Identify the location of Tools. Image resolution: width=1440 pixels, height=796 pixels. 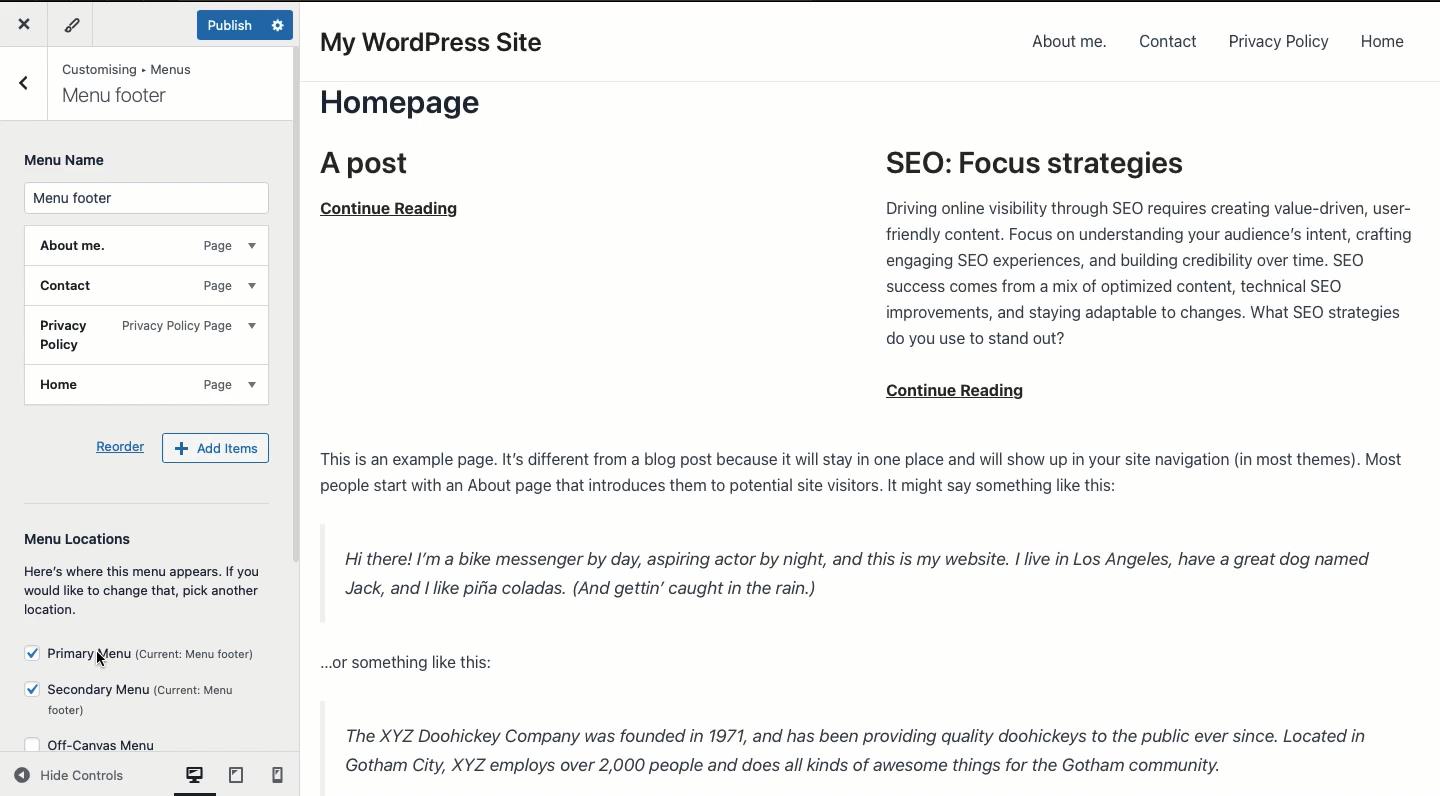
(74, 27).